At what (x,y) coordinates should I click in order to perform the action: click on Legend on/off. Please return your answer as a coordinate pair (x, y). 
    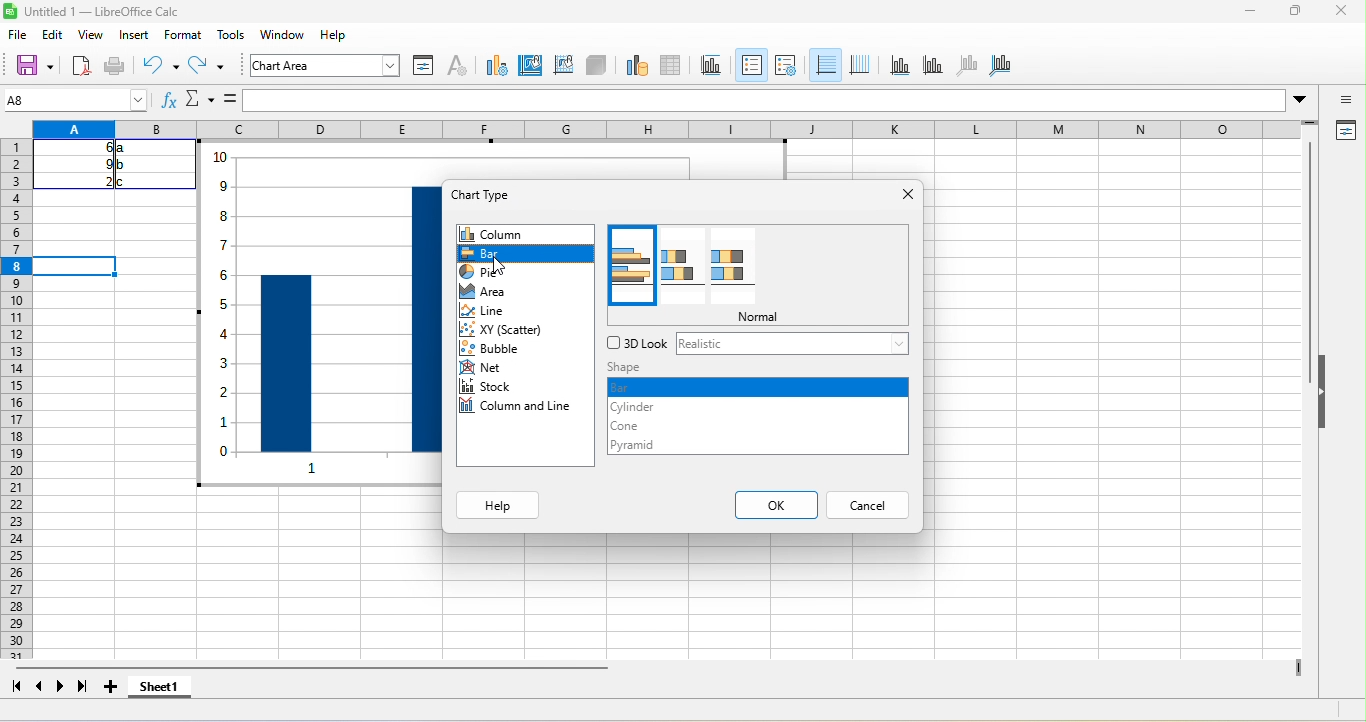
    Looking at the image, I should click on (824, 64).